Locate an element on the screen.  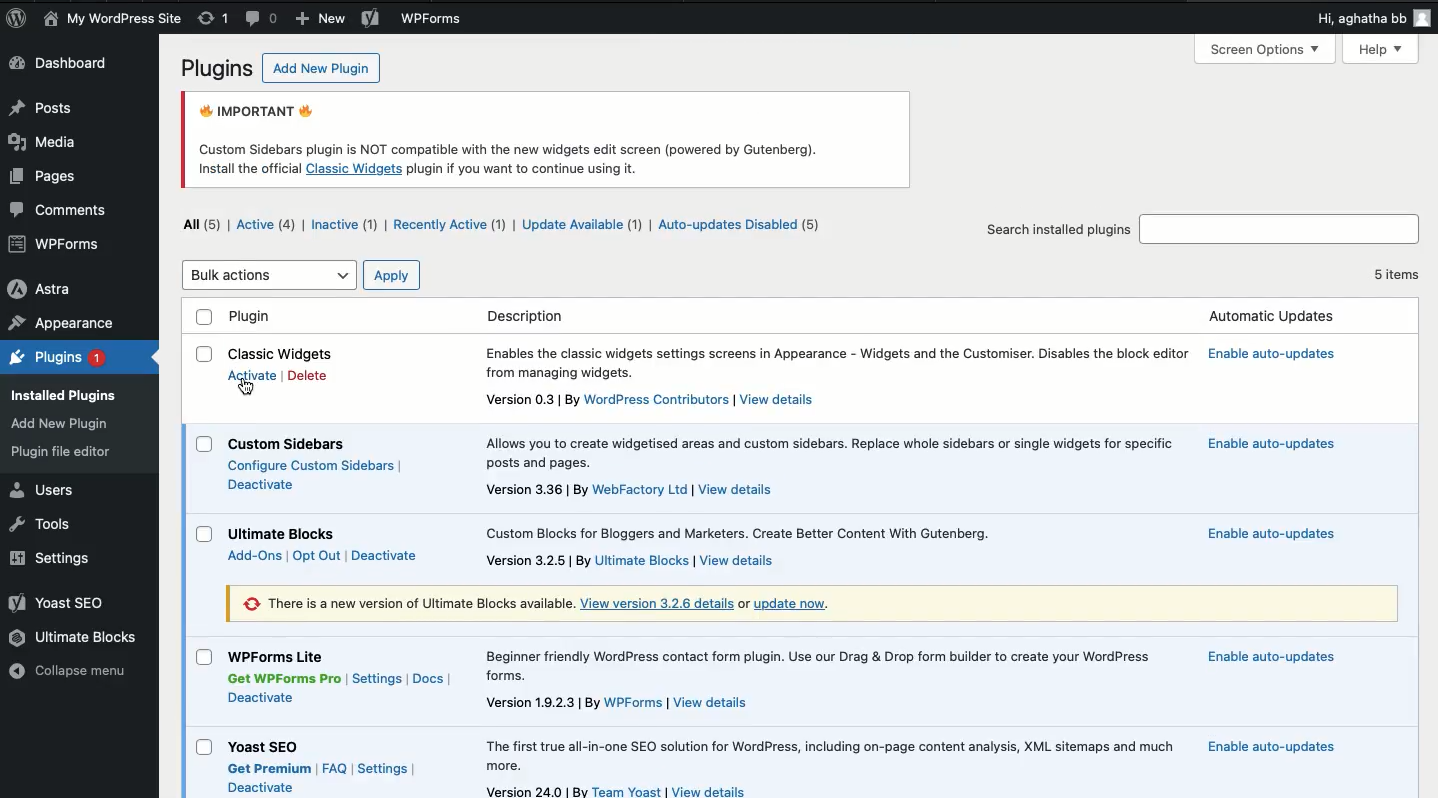
wpforms is located at coordinates (633, 704).